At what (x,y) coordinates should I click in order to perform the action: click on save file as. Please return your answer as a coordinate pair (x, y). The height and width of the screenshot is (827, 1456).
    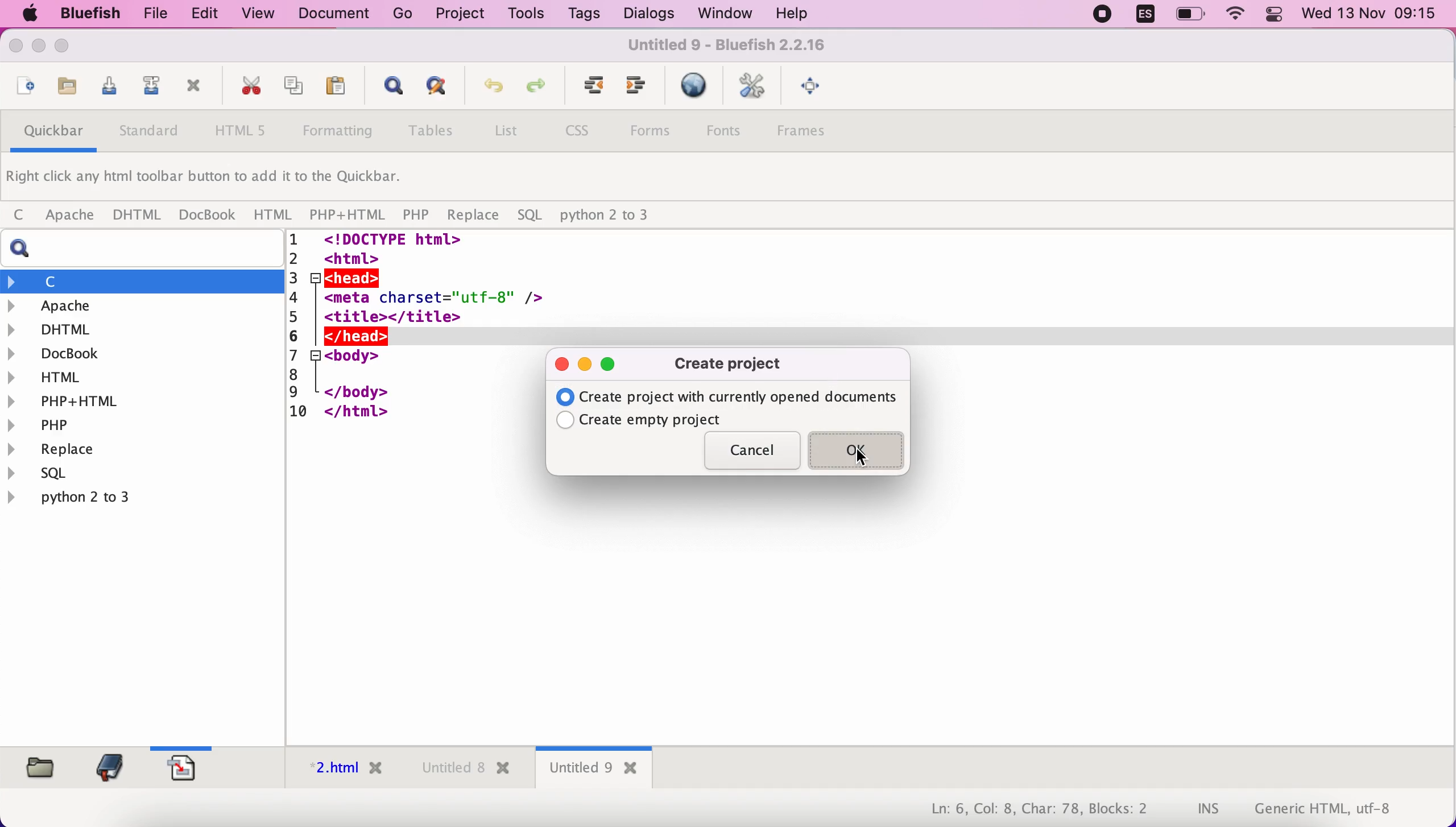
    Looking at the image, I should click on (148, 89).